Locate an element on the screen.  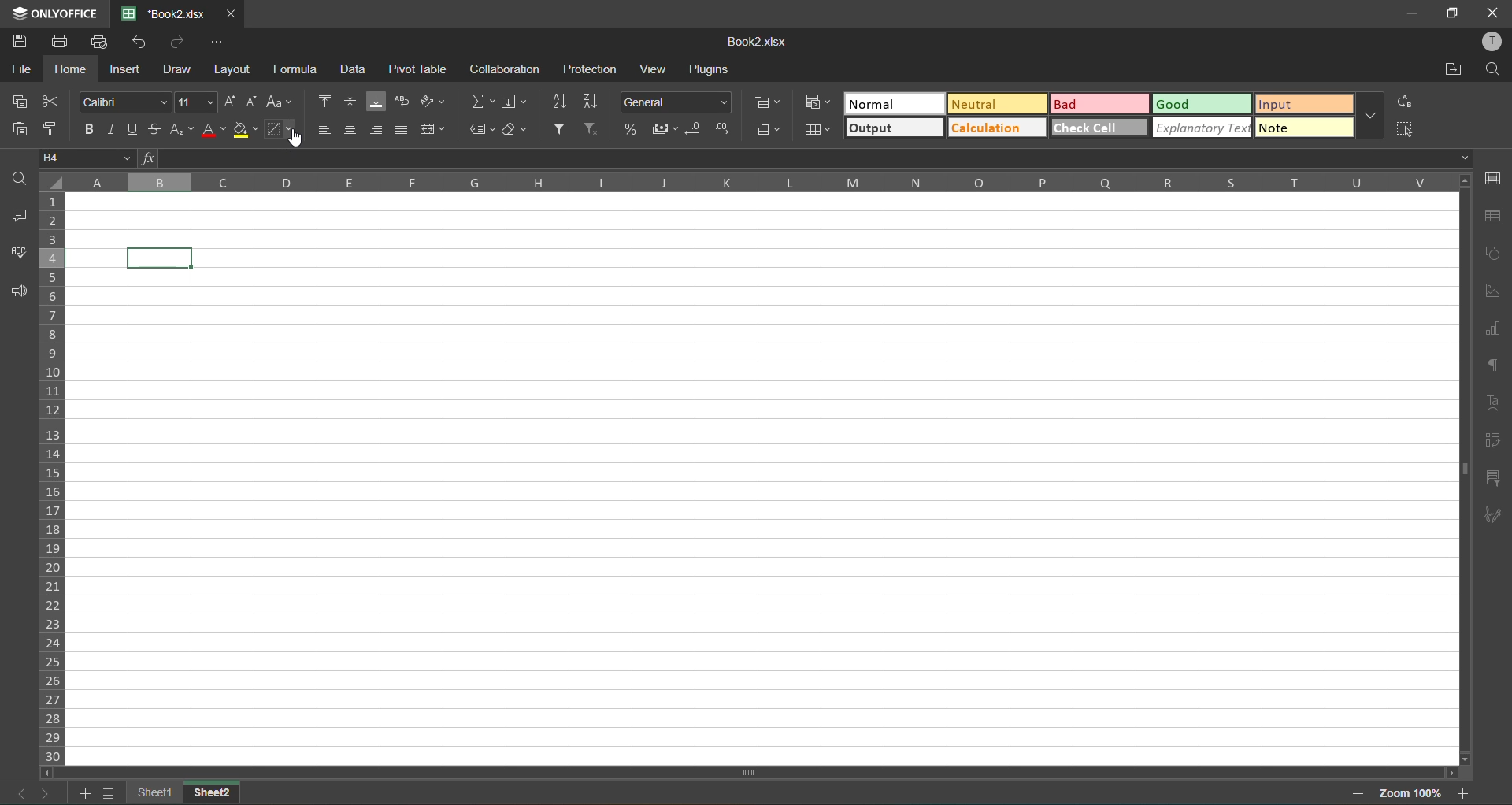
next is located at coordinates (46, 793).